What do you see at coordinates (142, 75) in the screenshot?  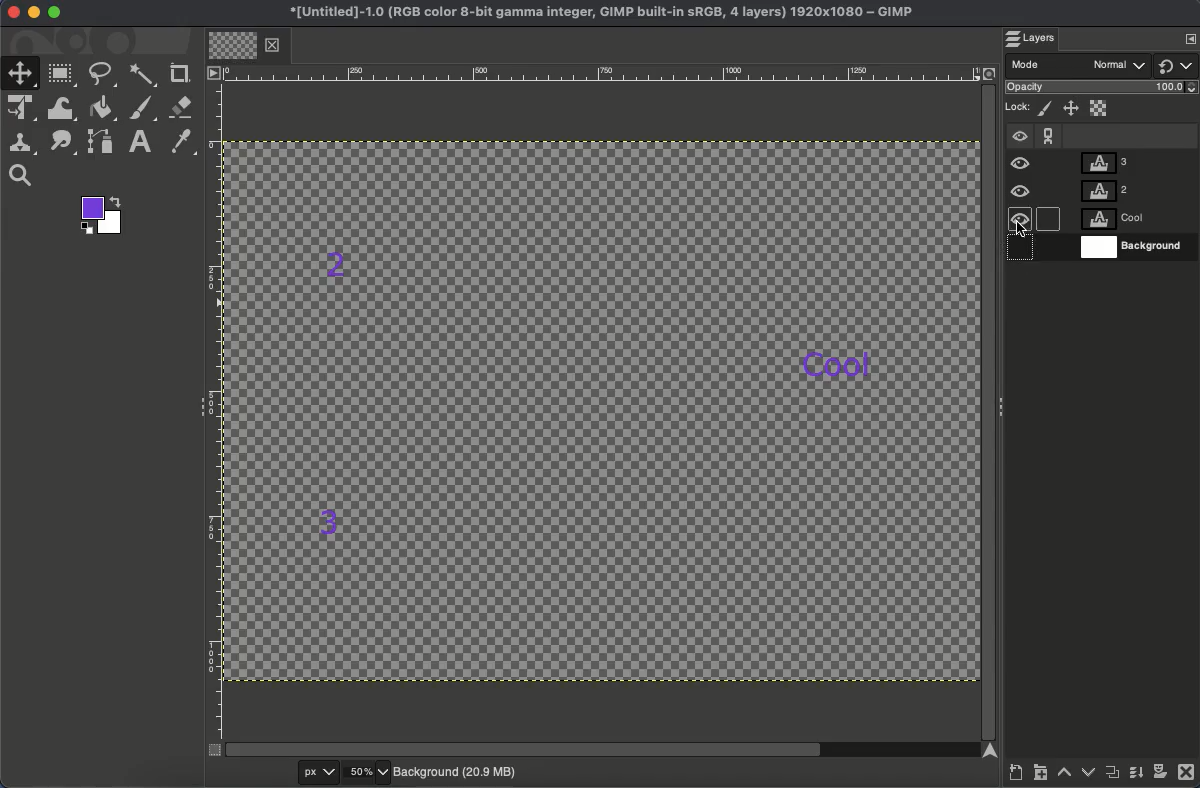 I see `Fuzzy select` at bounding box center [142, 75].